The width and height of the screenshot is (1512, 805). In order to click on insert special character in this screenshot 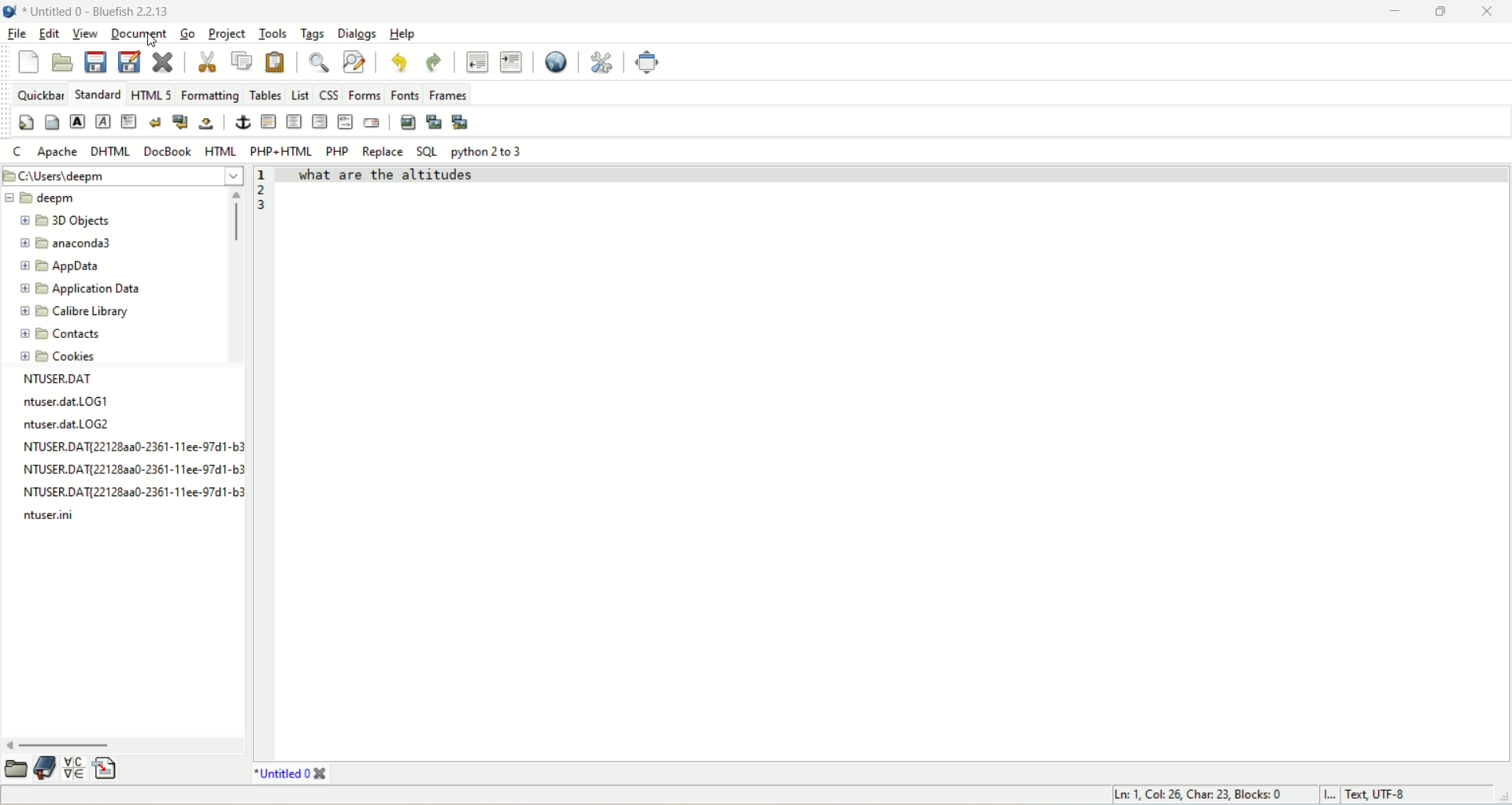, I will do `click(77, 768)`.